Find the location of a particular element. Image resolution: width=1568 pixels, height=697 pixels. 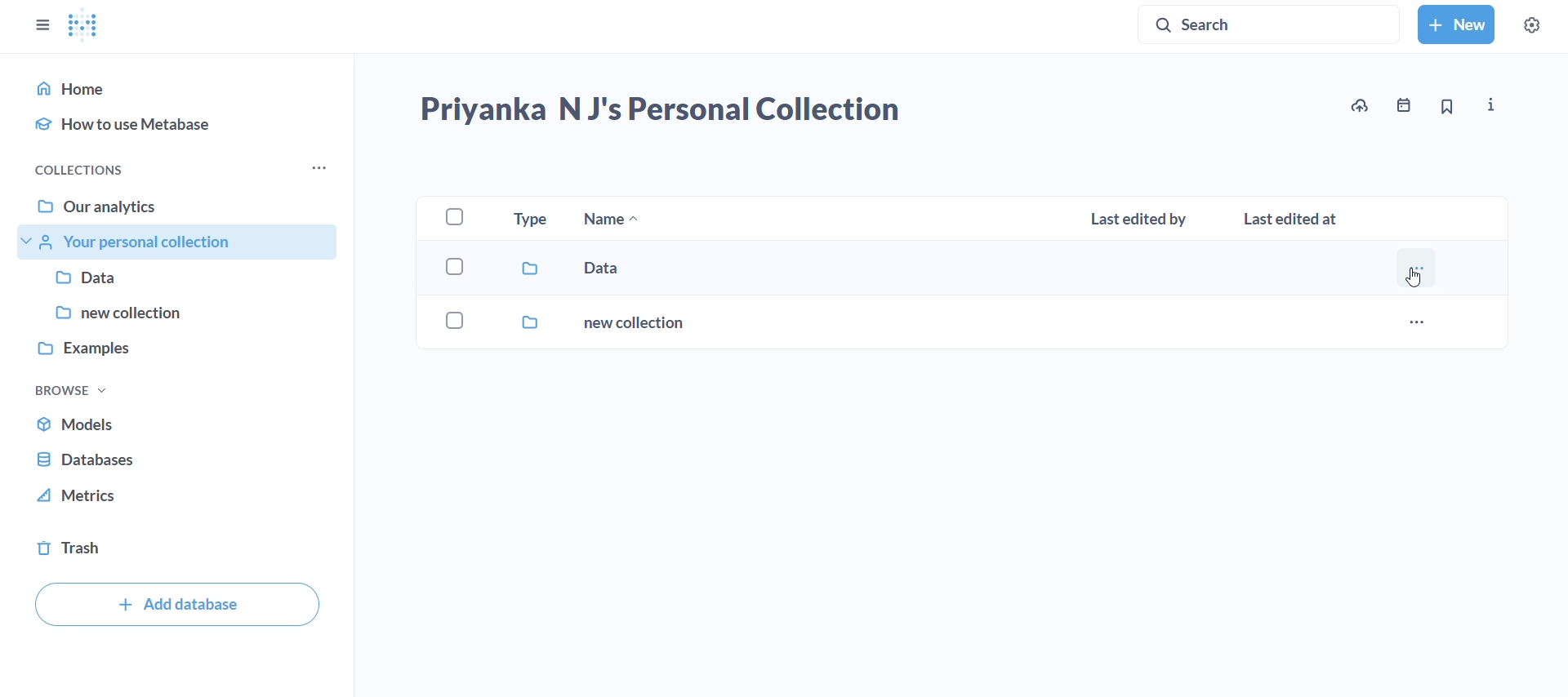

priyanka N J's personal collection is located at coordinates (660, 112).